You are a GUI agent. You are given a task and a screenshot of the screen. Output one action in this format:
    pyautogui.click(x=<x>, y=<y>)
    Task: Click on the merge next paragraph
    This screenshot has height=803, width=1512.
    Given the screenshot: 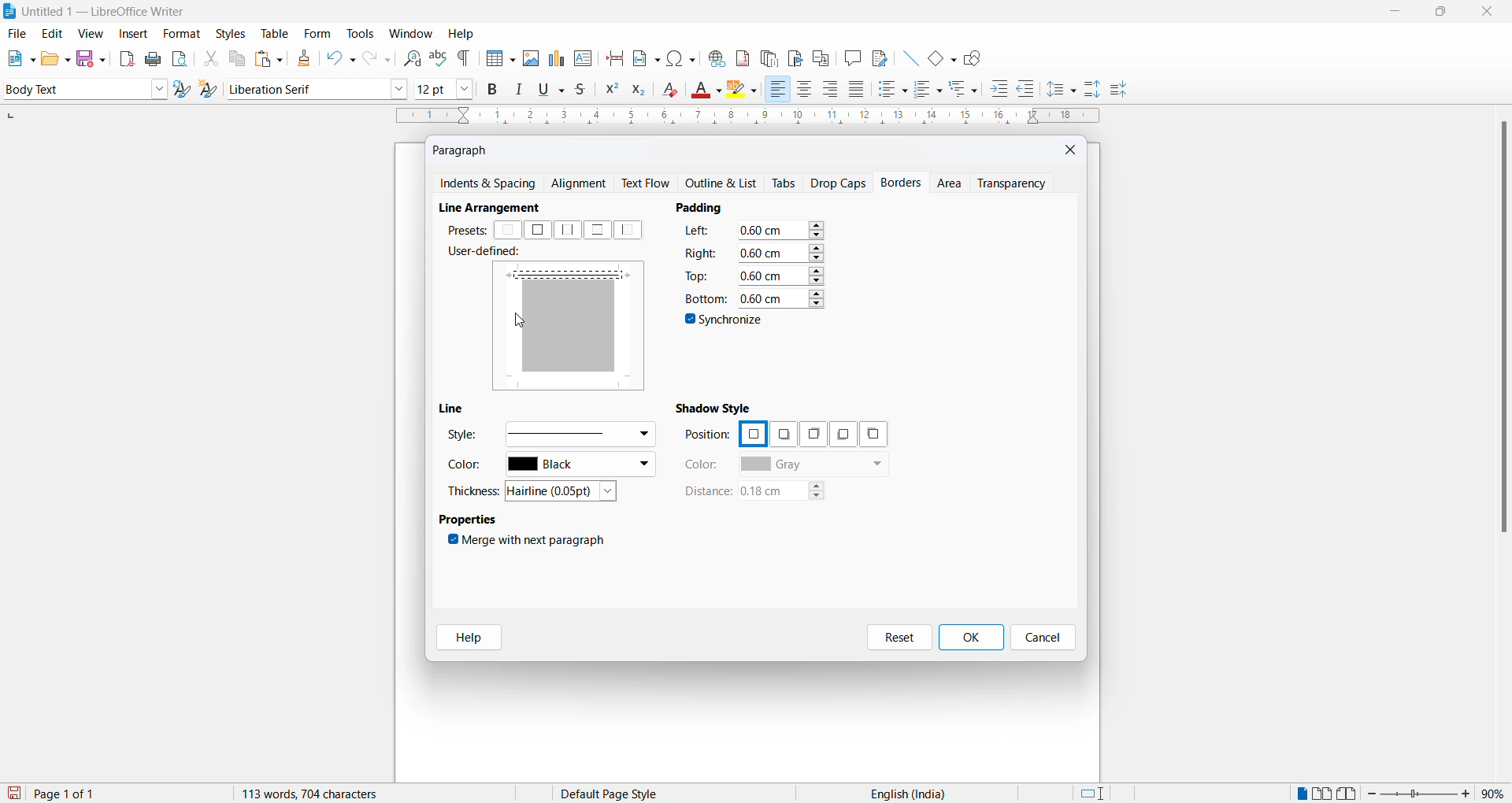 What is the action you would take?
    pyautogui.click(x=530, y=542)
    